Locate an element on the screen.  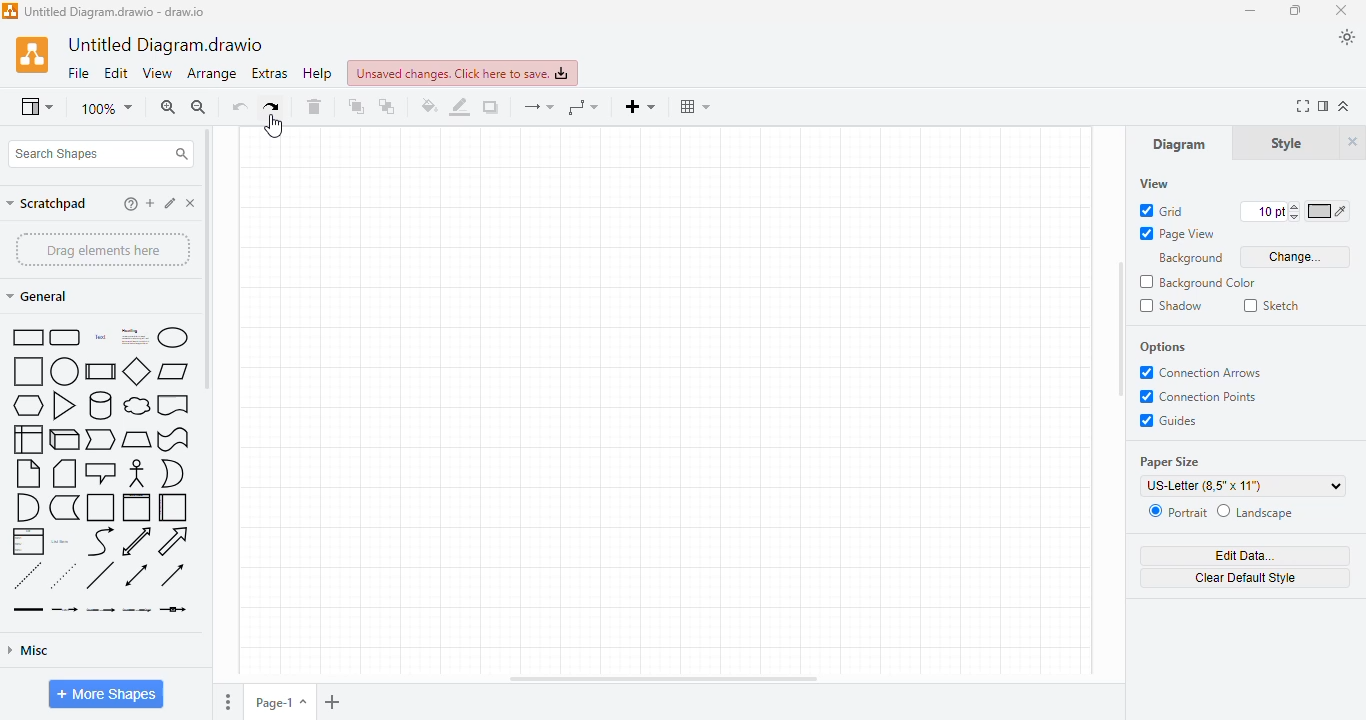
horizontal container is located at coordinates (174, 507).